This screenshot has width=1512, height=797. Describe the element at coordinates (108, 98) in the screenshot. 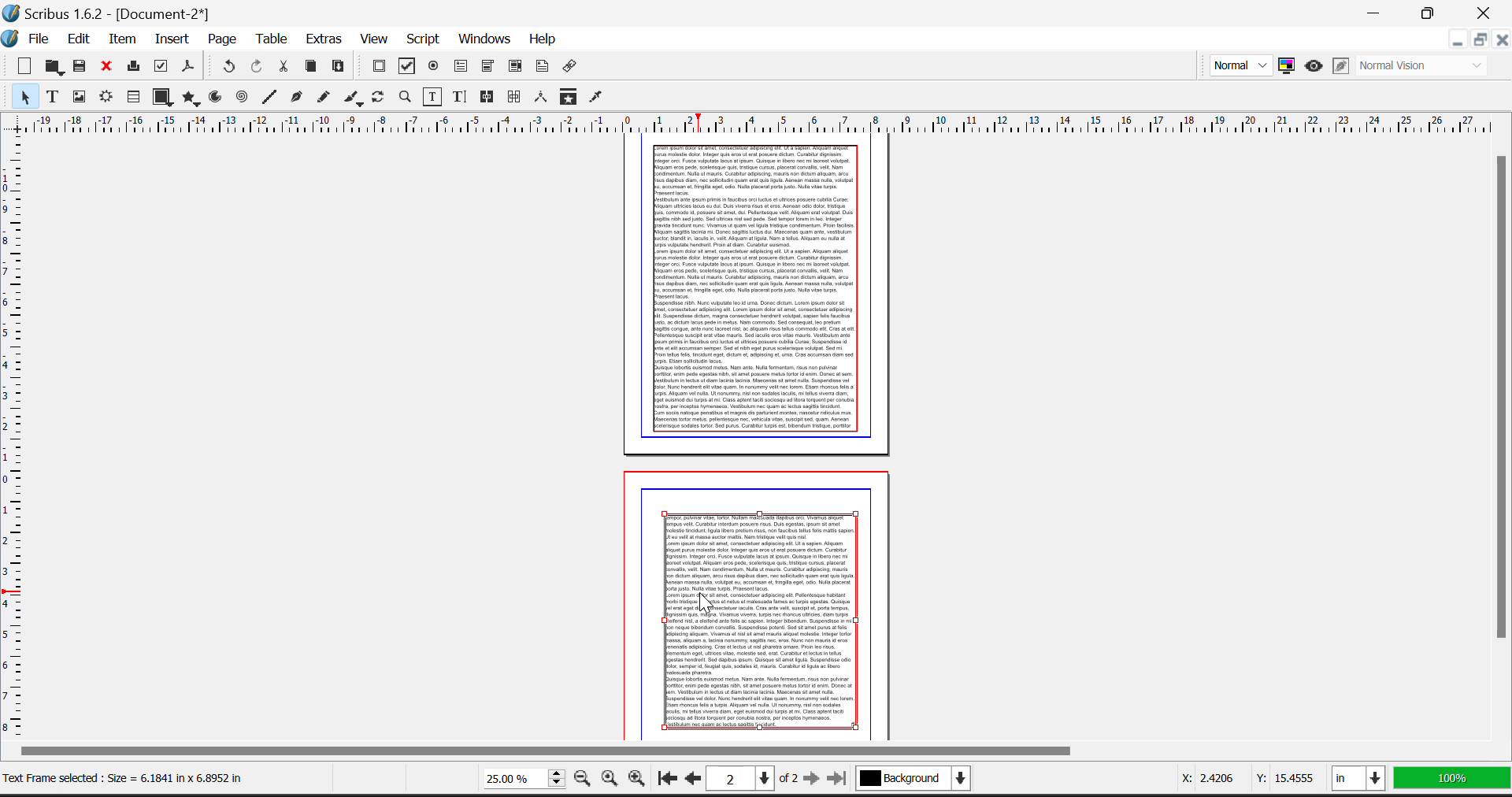

I see `Render Frames` at that location.